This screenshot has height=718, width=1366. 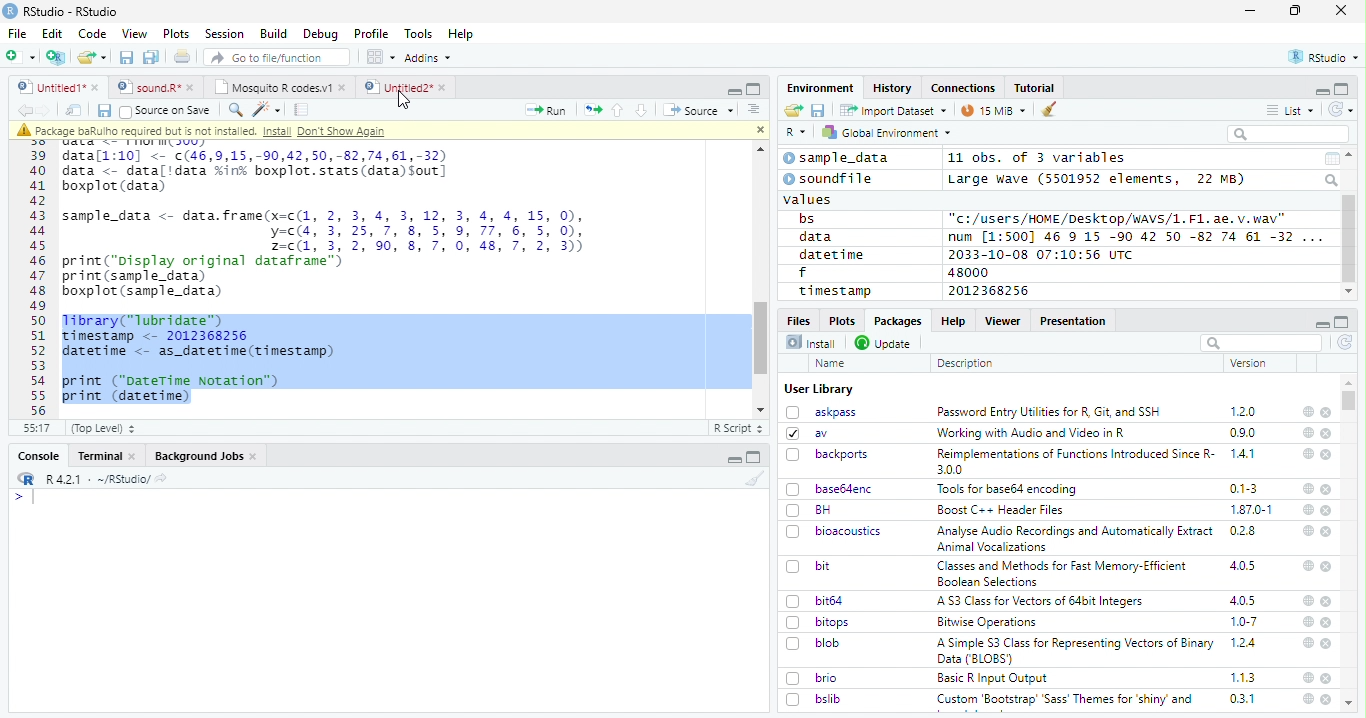 I want to click on Profile, so click(x=371, y=34).